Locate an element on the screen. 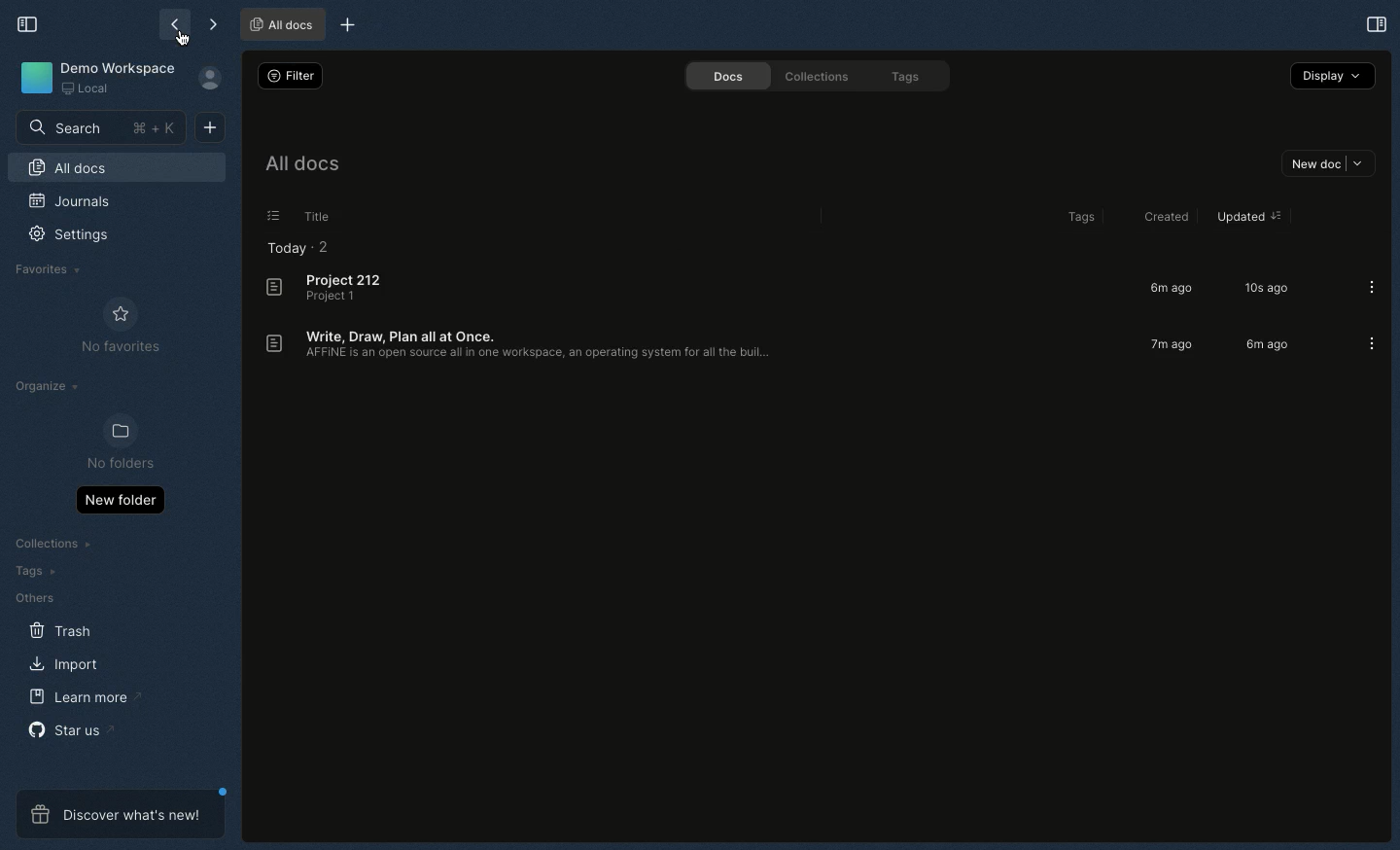  6m ago is located at coordinates (1271, 345).